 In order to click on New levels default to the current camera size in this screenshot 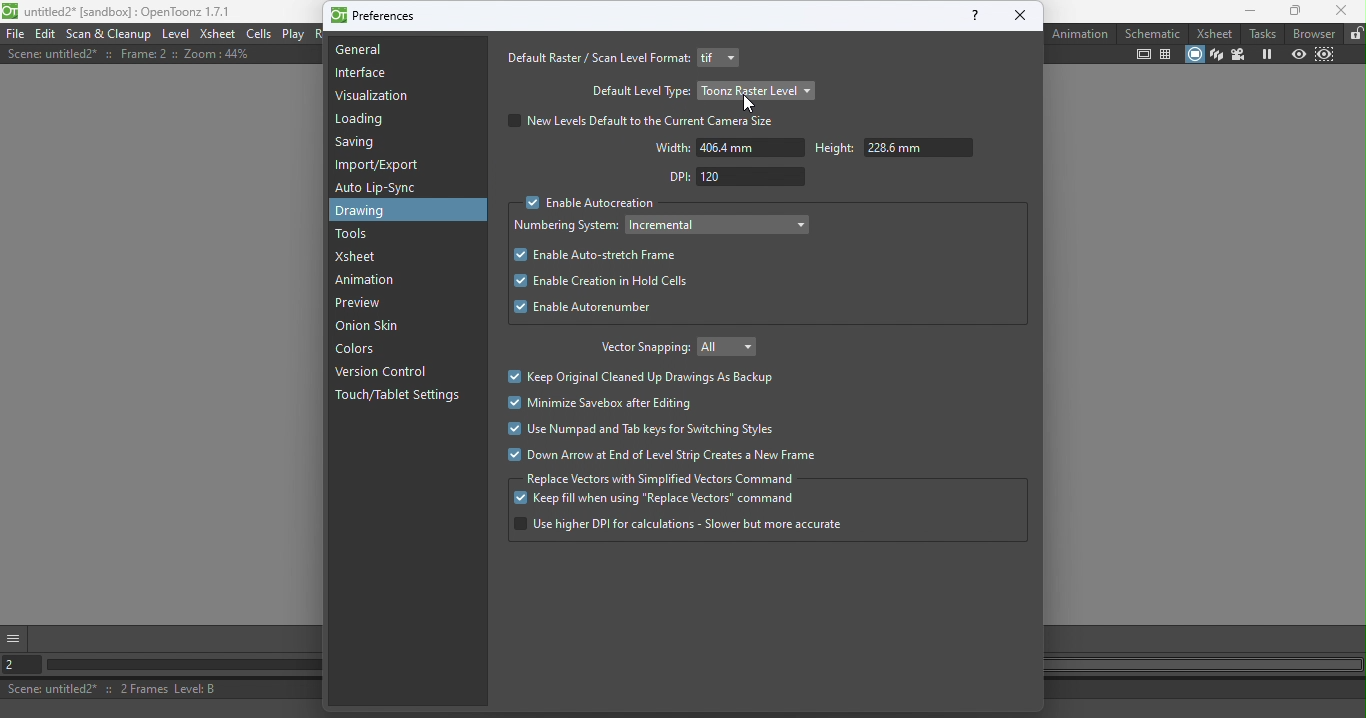, I will do `click(647, 121)`.